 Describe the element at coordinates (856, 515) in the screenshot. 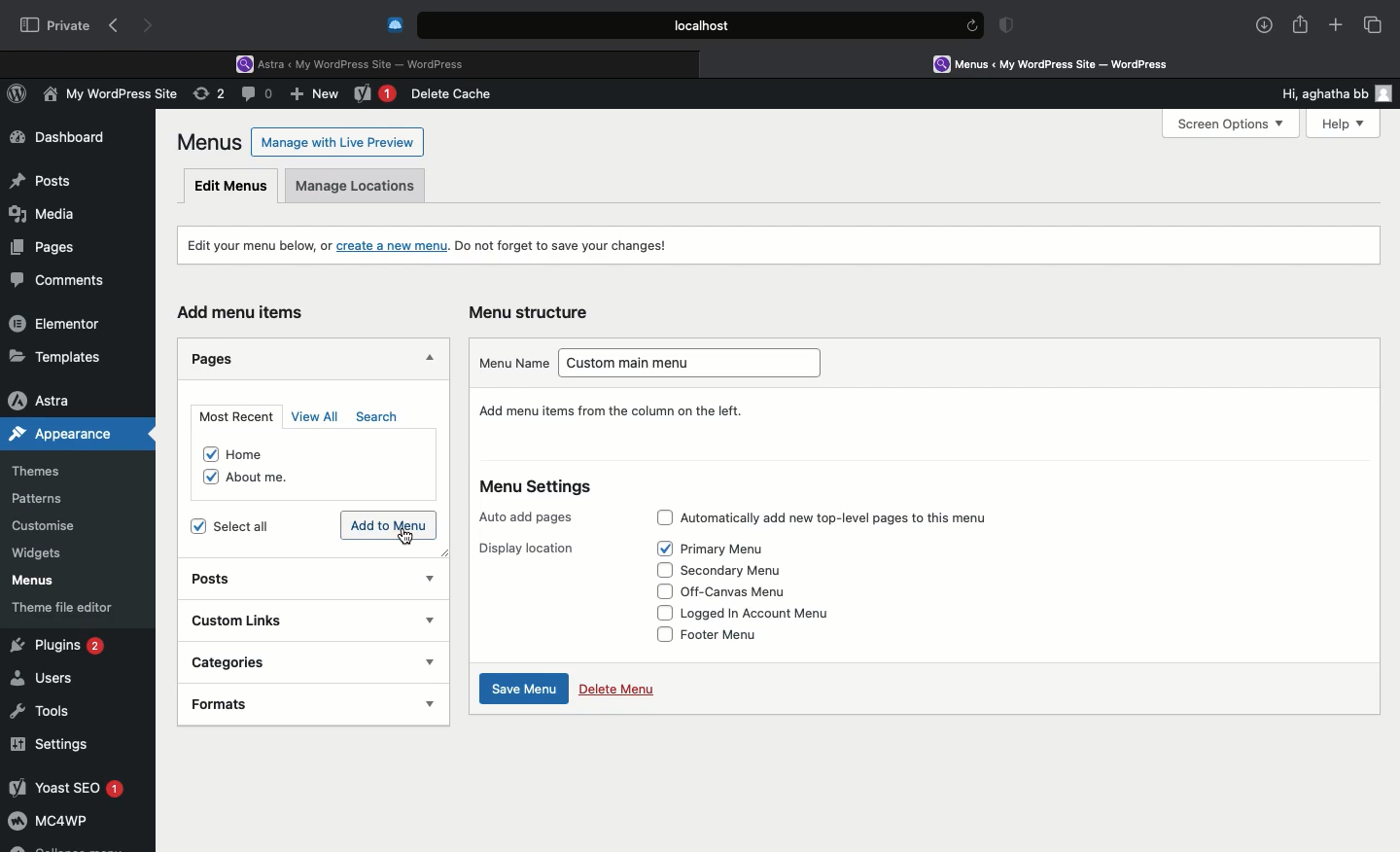

I see `Automatically add new top-level pages to this menu` at that location.